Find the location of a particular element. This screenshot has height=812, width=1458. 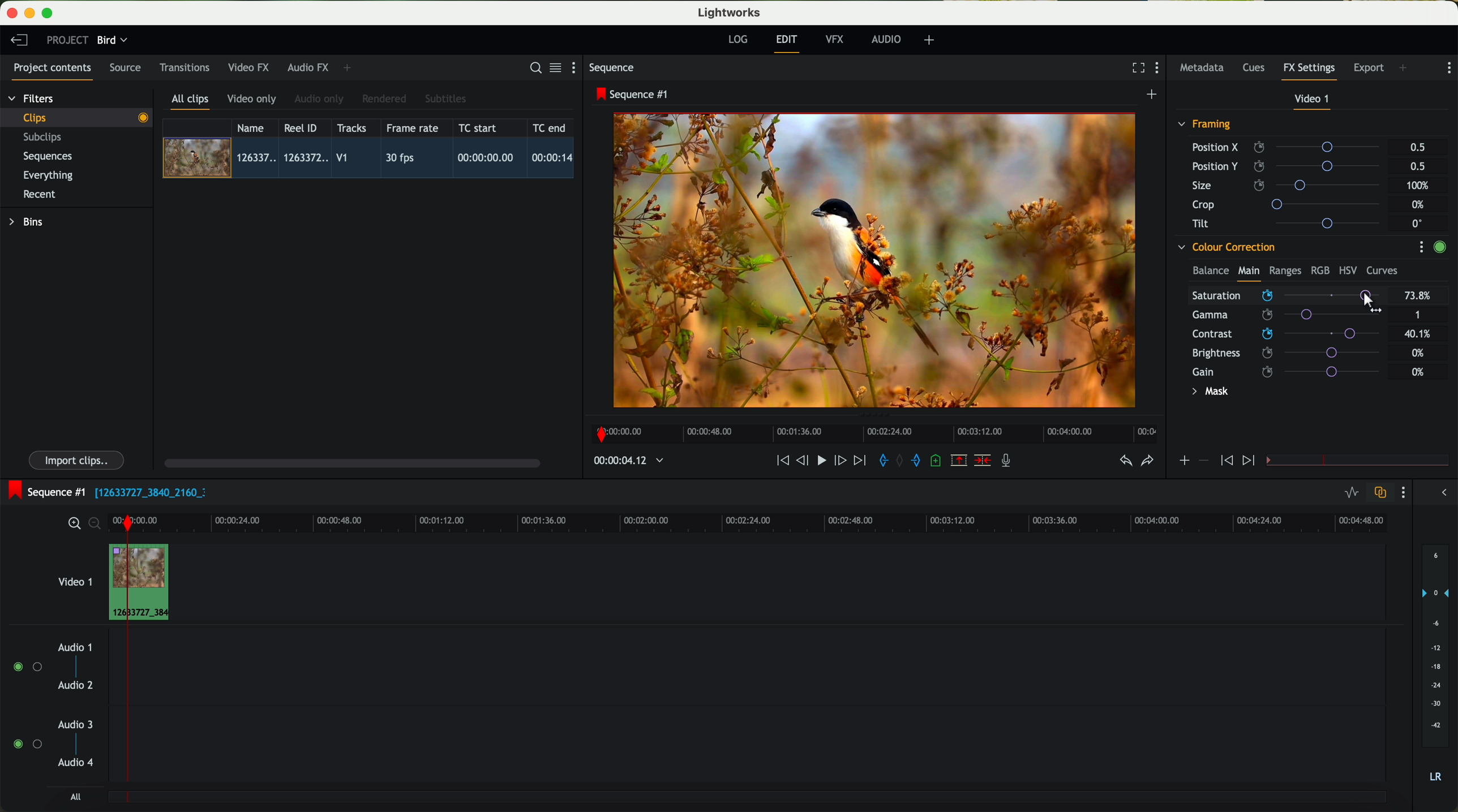

Reel ID is located at coordinates (303, 127).